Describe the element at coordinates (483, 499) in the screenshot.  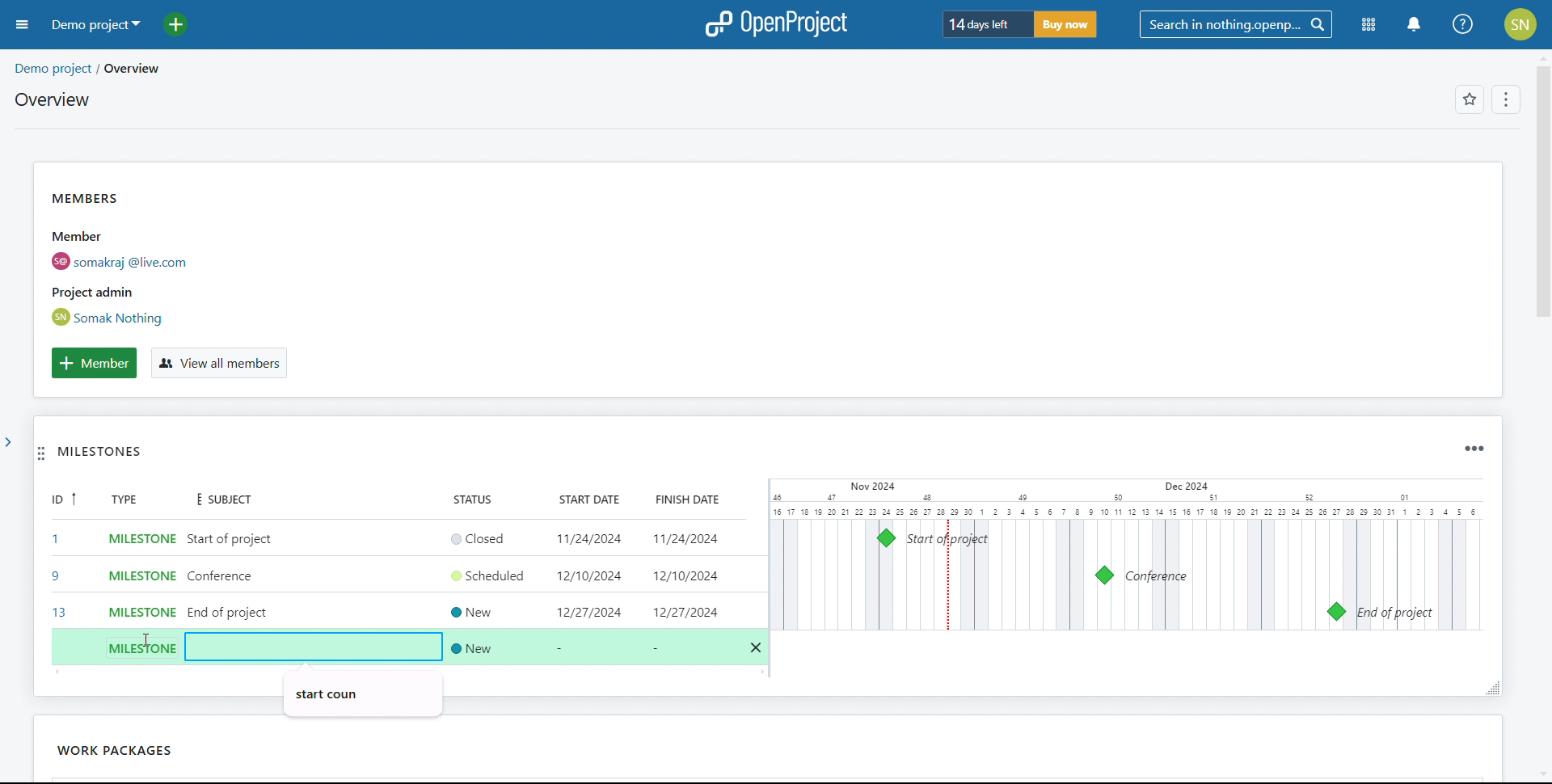
I see `status` at that location.